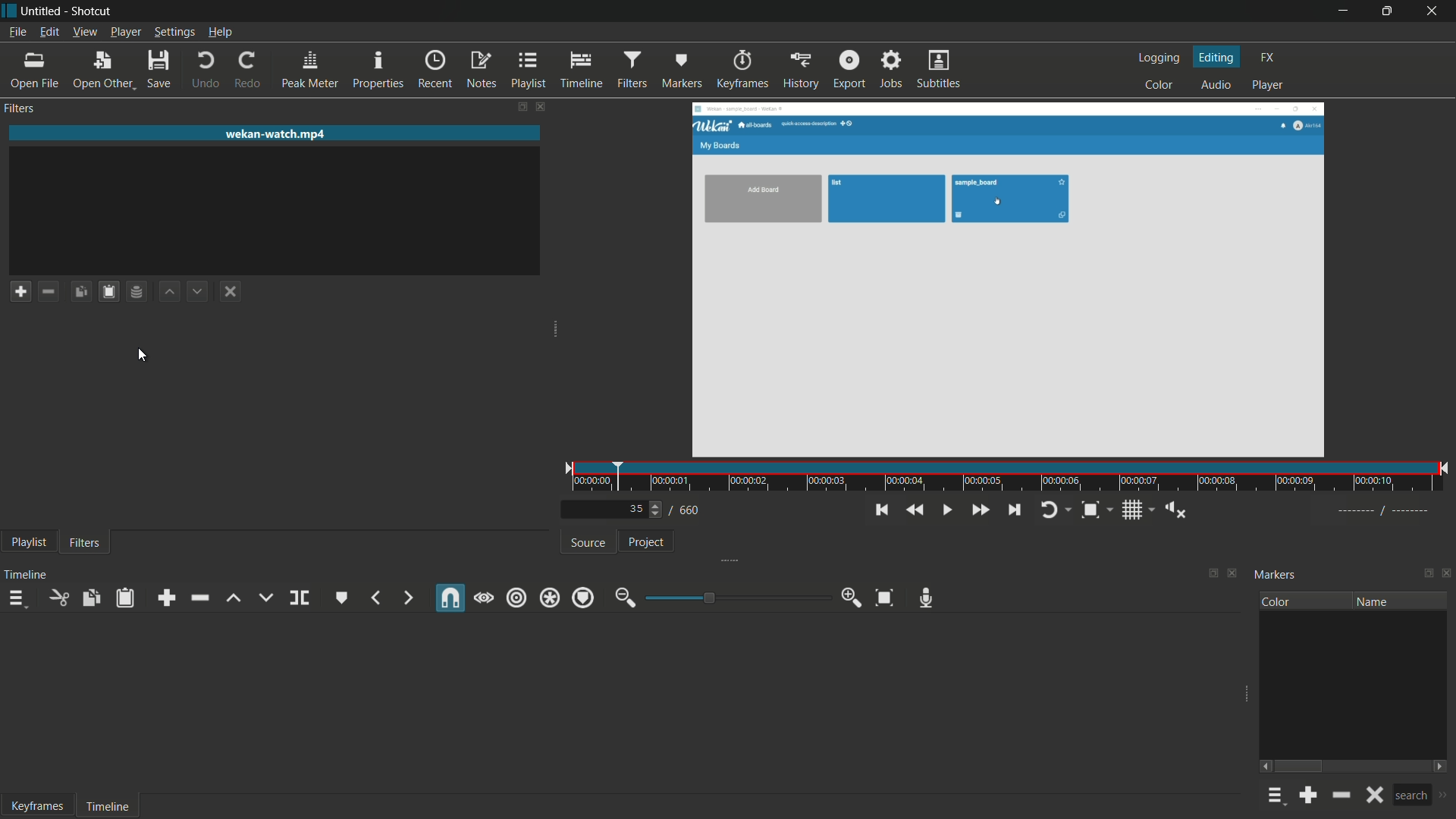 The width and height of the screenshot is (1456, 819). Describe the element at coordinates (1424, 574) in the screenshot. I see `change layout` at that location.